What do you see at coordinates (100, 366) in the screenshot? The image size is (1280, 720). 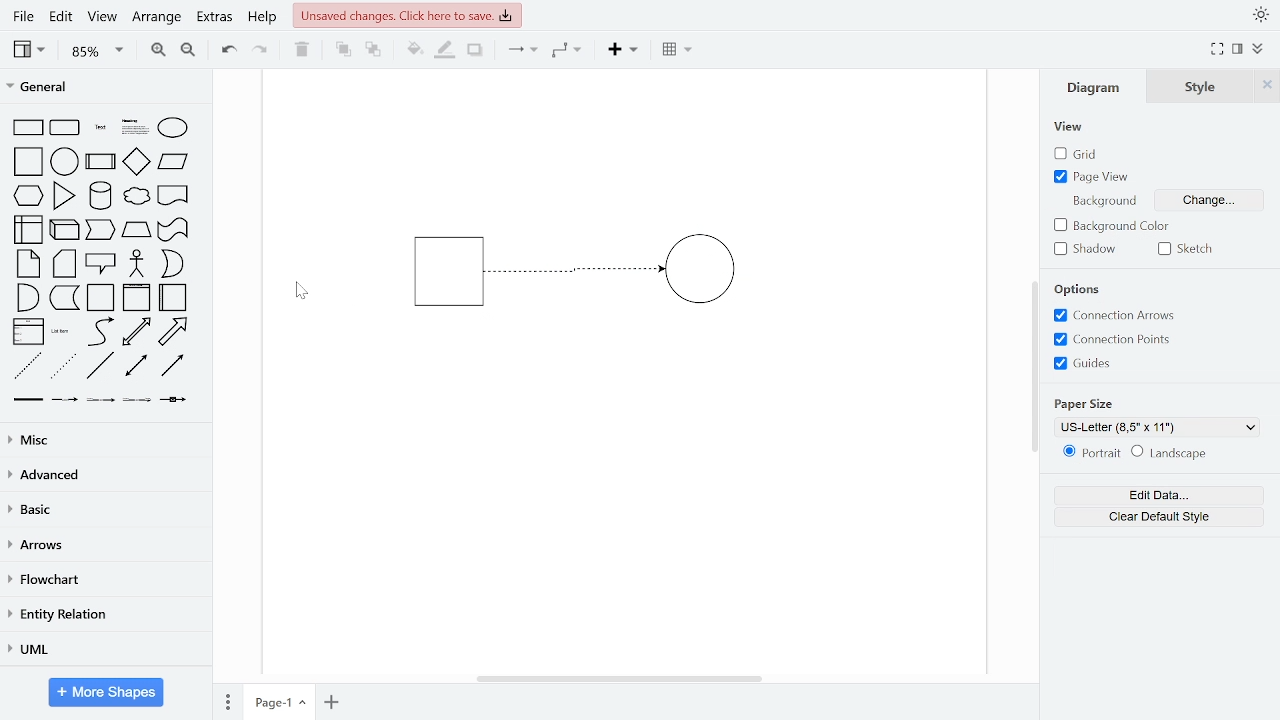 I see `line` at bounding box center [100, 366].